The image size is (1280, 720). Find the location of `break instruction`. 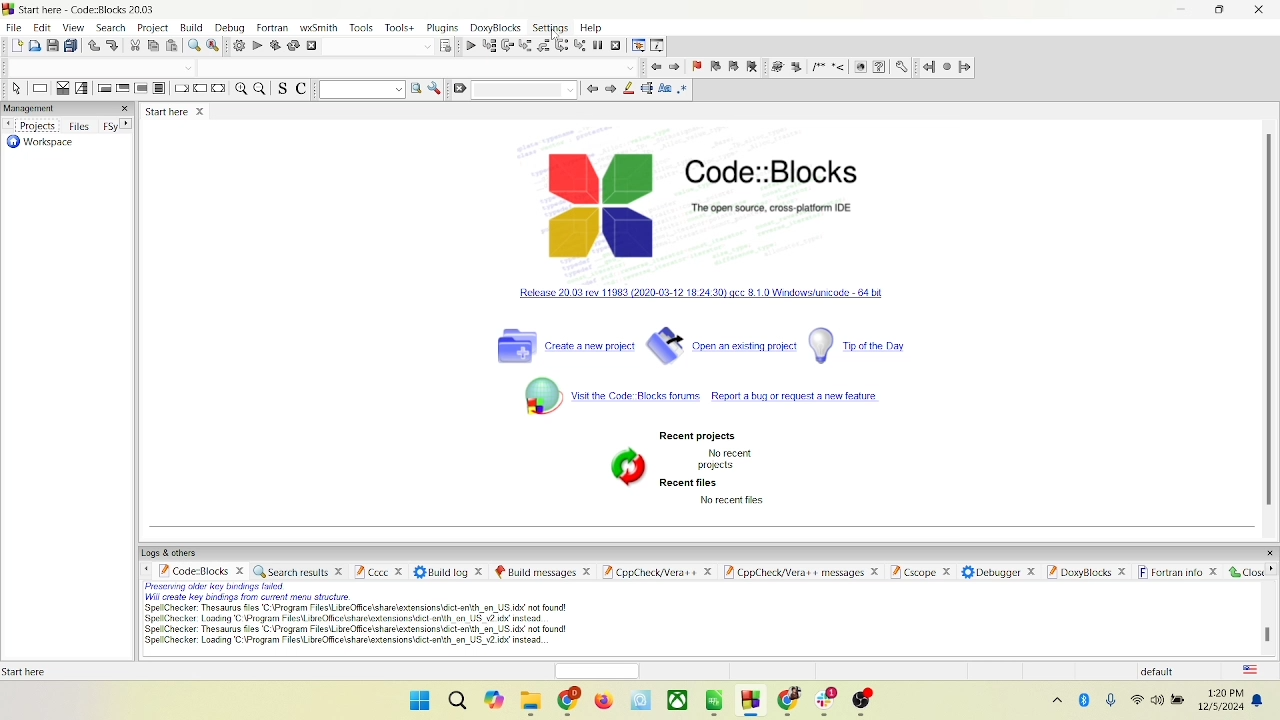

break instruction is located at coordinates (180, 88).